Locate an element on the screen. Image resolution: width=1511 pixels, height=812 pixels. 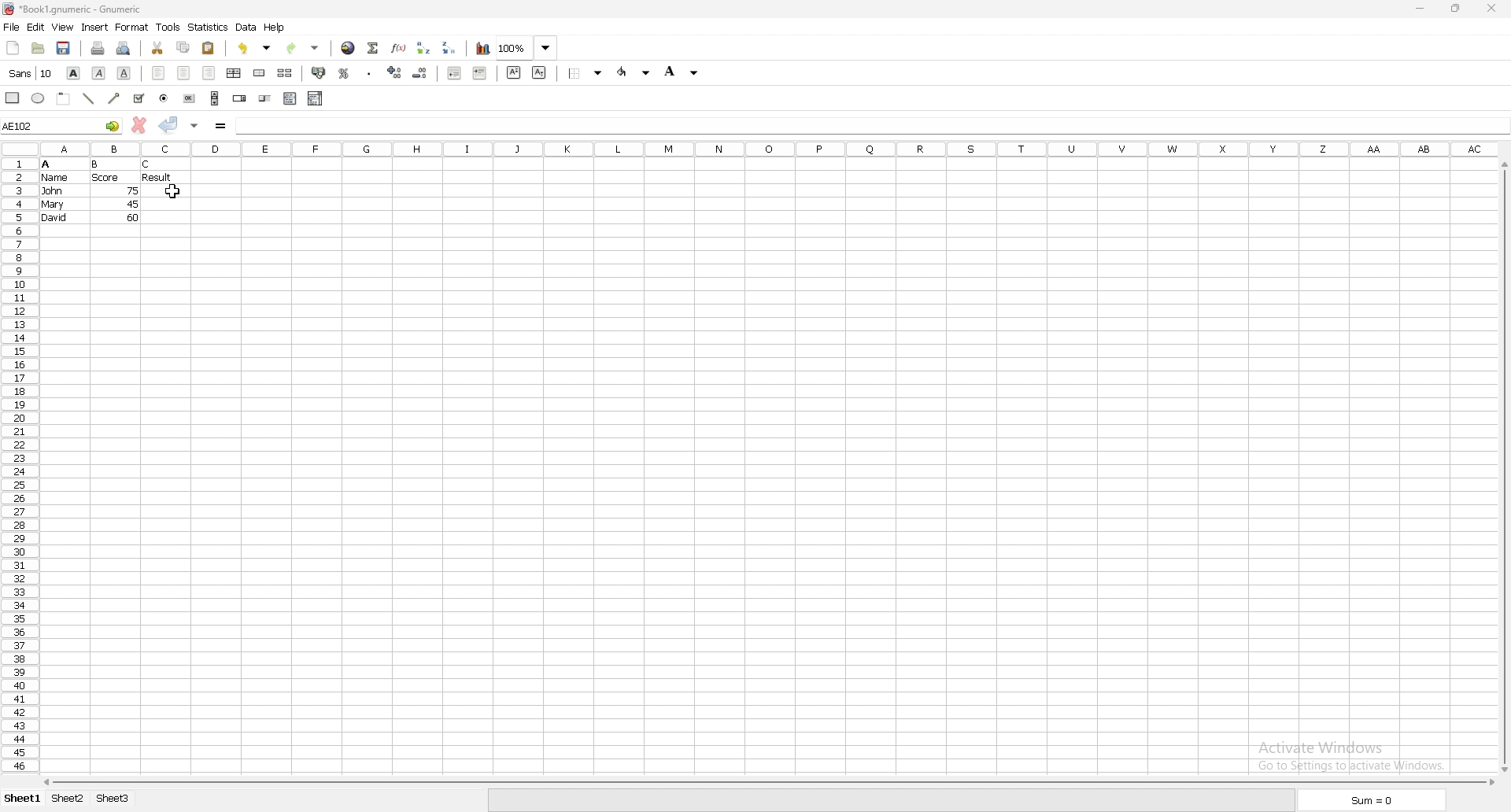
function is located at coordinates (398, 49).